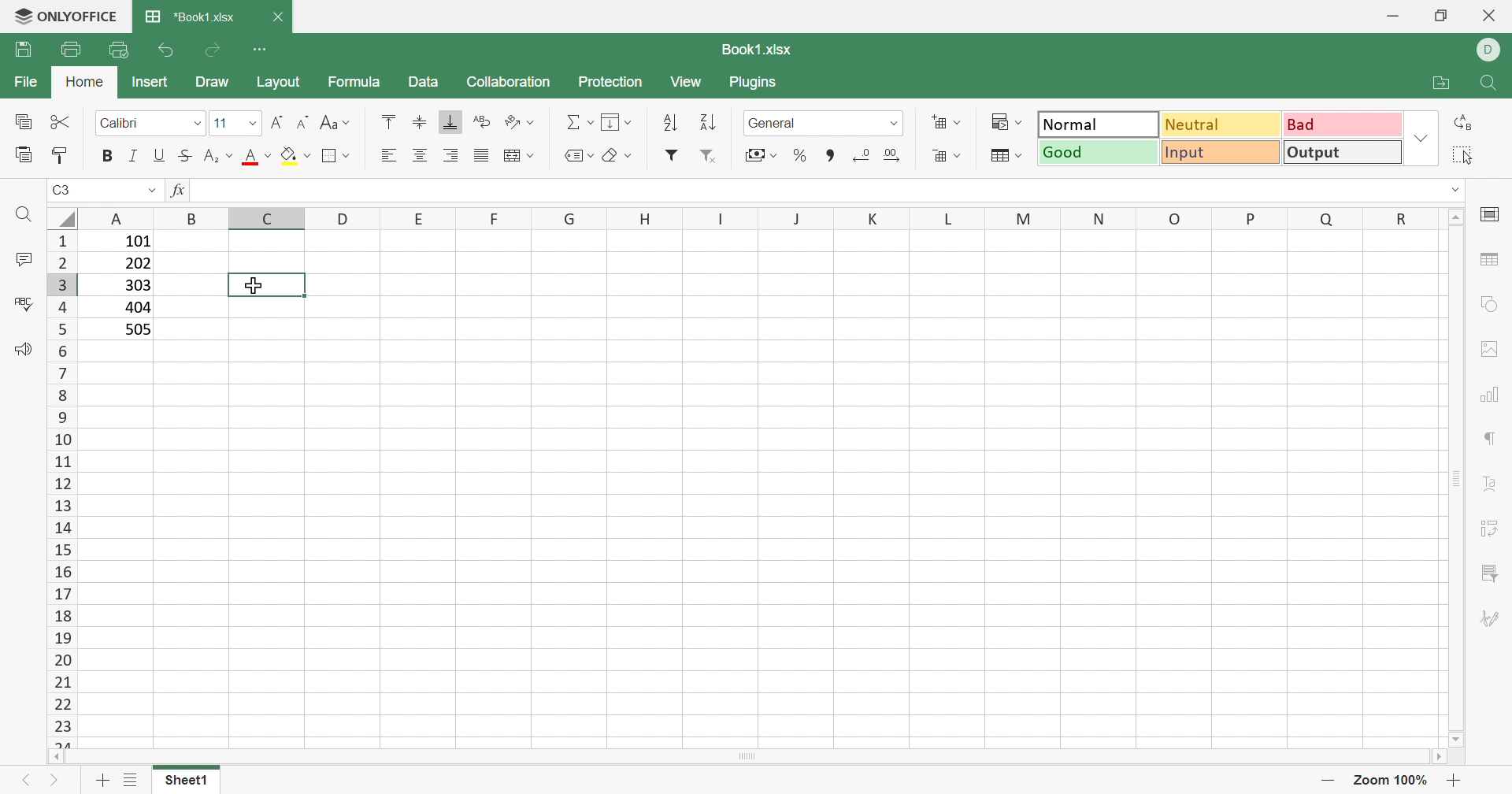 Image resolution: width=1512 pixels, height=794 pixels. I want to click on Currency style, so click(758, 154).